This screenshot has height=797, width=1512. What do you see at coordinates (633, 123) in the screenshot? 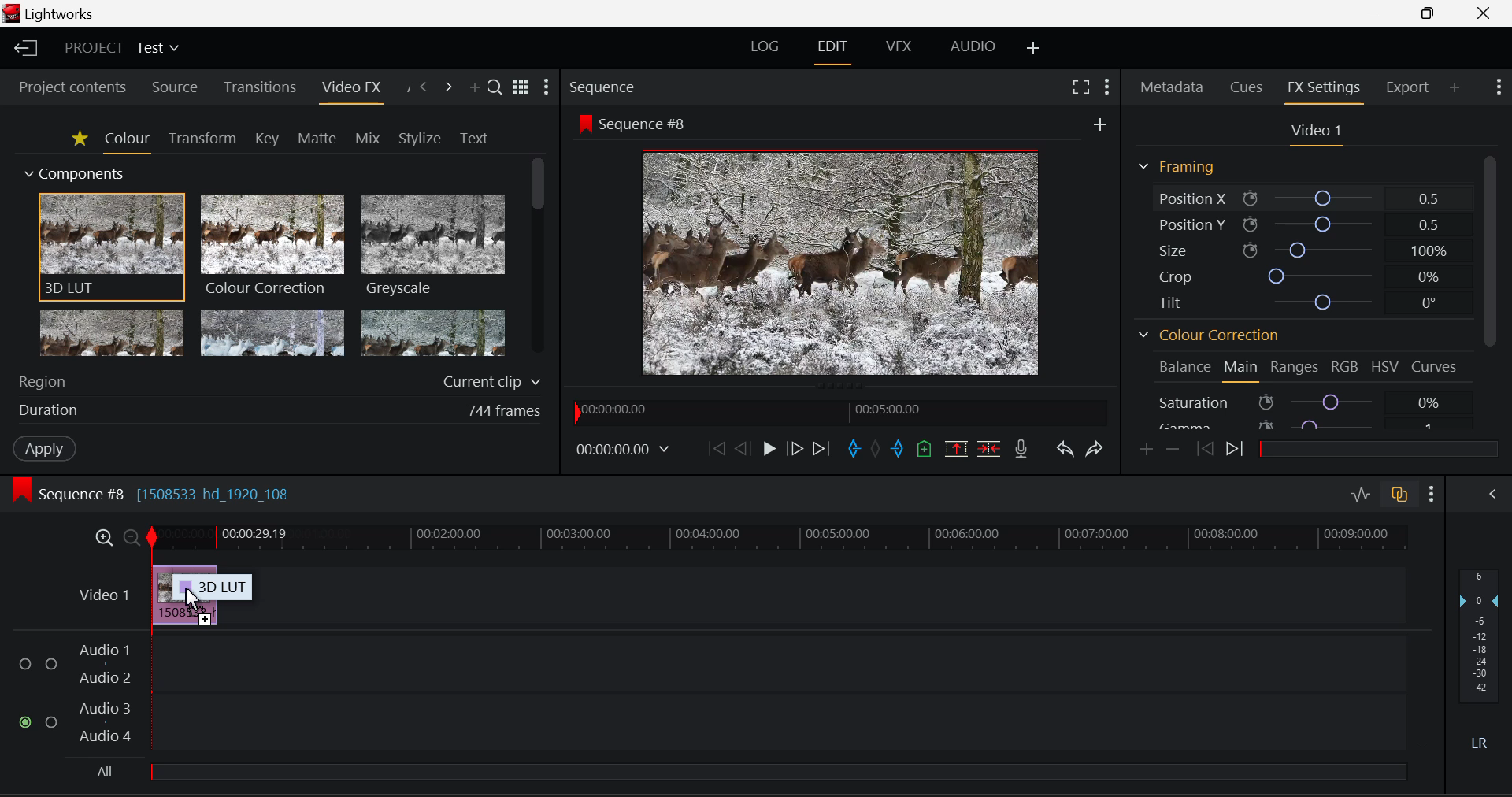
I see `Sequence #8` at bounding box center [633, 123].